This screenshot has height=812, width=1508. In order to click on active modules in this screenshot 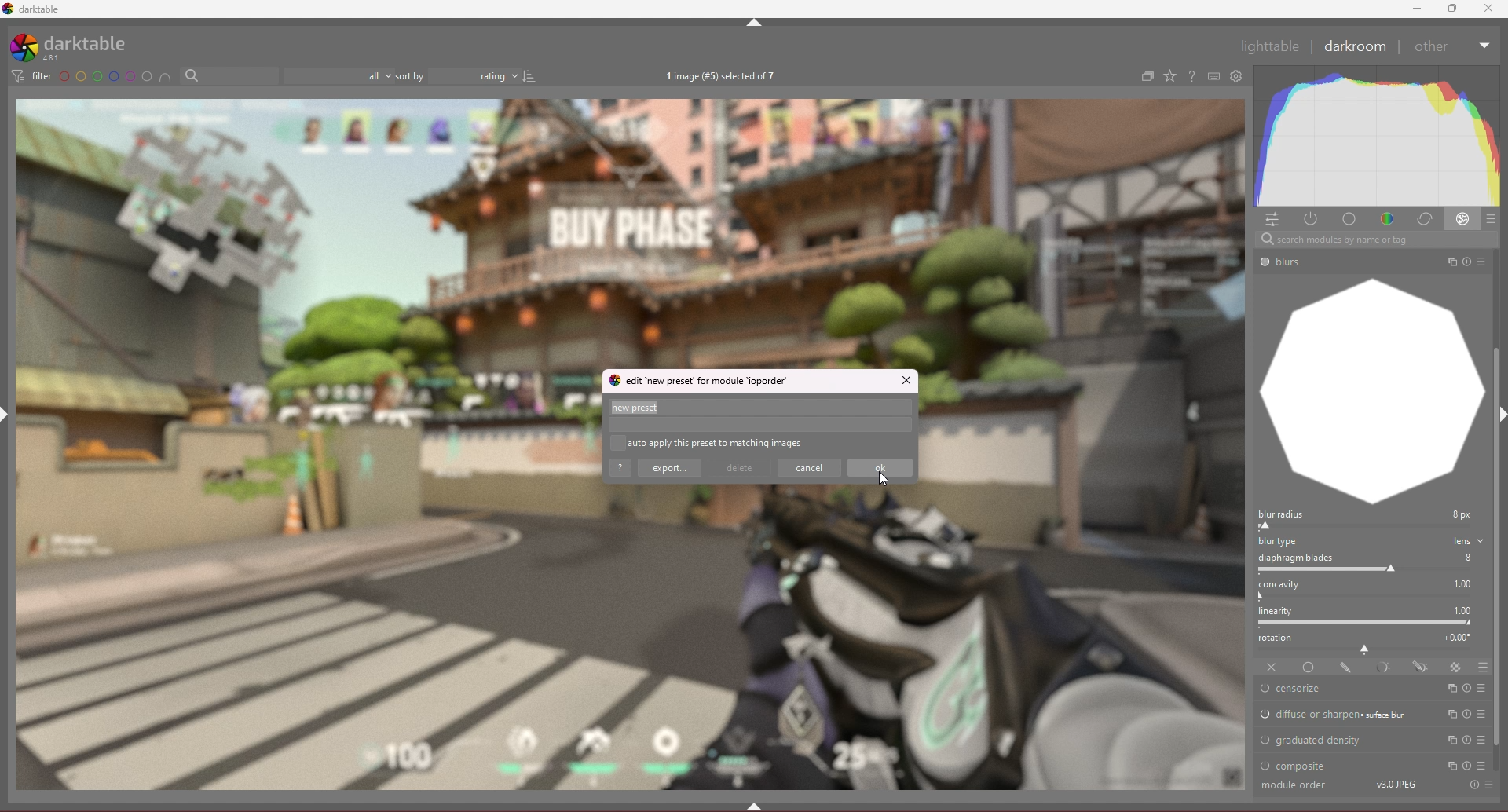, I will do `click(1311, 219)`.